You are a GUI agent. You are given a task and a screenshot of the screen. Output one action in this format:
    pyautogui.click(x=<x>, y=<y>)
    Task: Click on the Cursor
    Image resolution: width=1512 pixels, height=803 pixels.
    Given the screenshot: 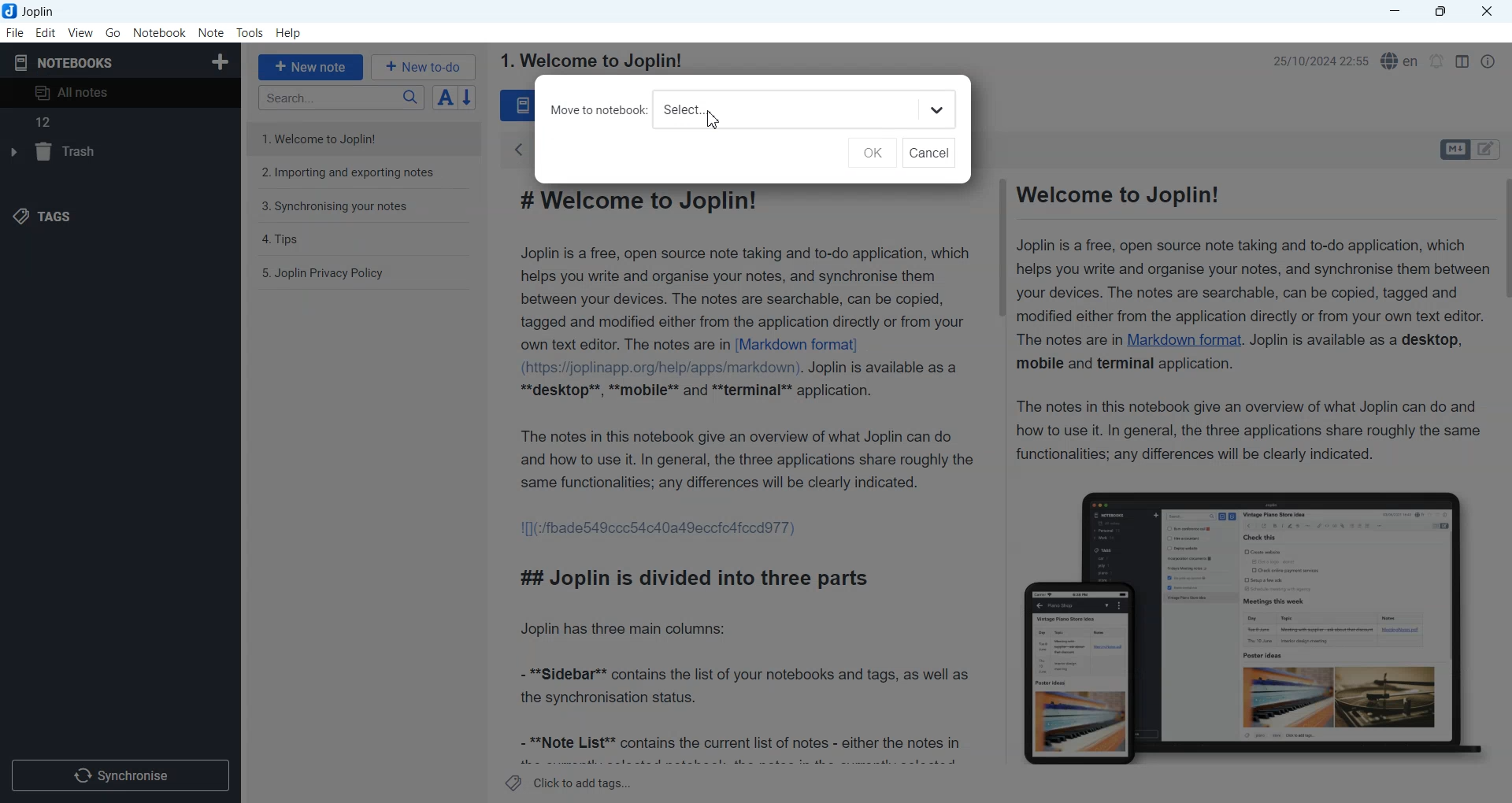 What is the action you would take?
    pyautogui.click(x=714, y=120)
    